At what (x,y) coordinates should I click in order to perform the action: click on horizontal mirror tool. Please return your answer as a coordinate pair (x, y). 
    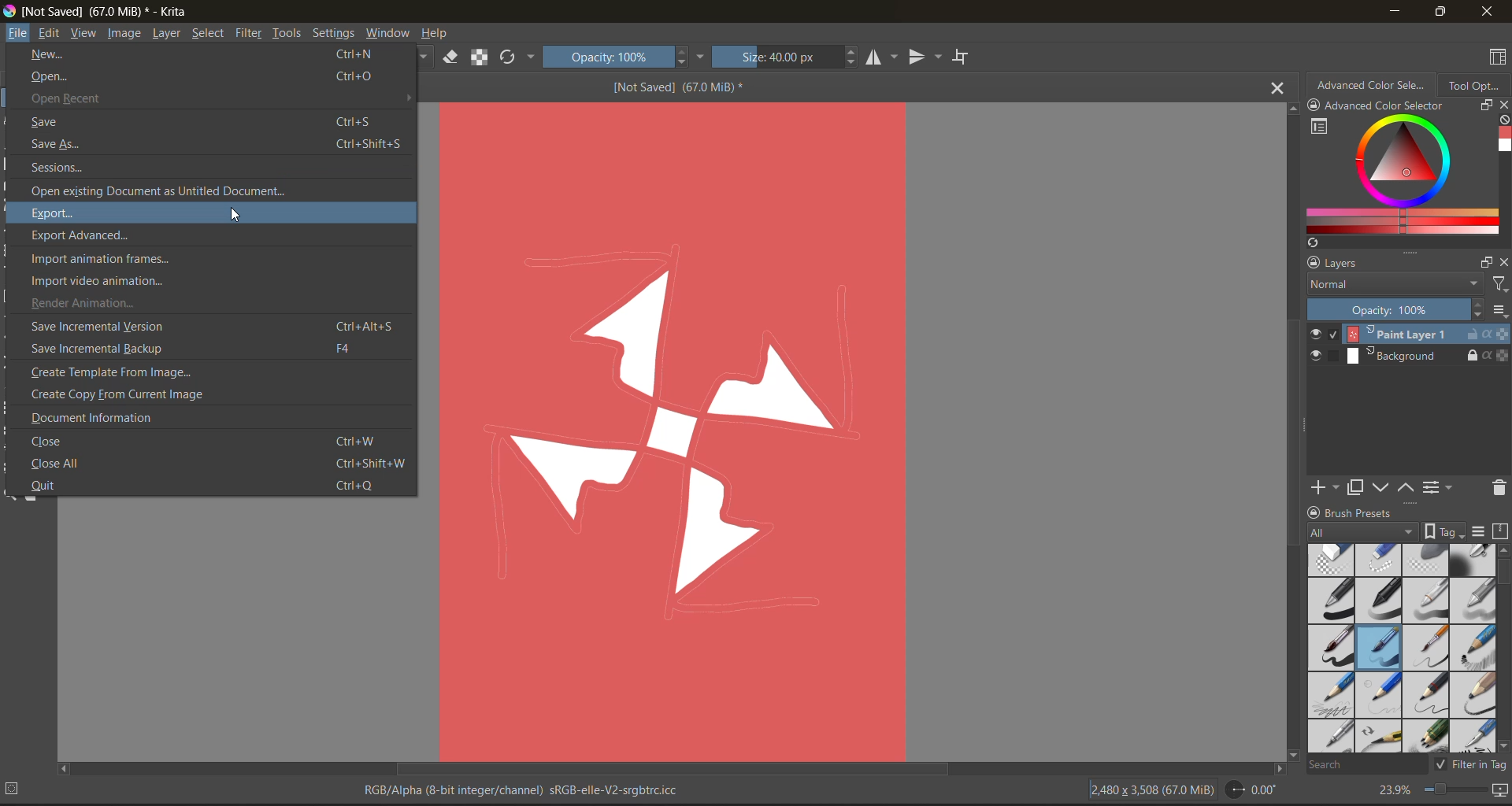
    Looking at the image, I should click on (884, 58).